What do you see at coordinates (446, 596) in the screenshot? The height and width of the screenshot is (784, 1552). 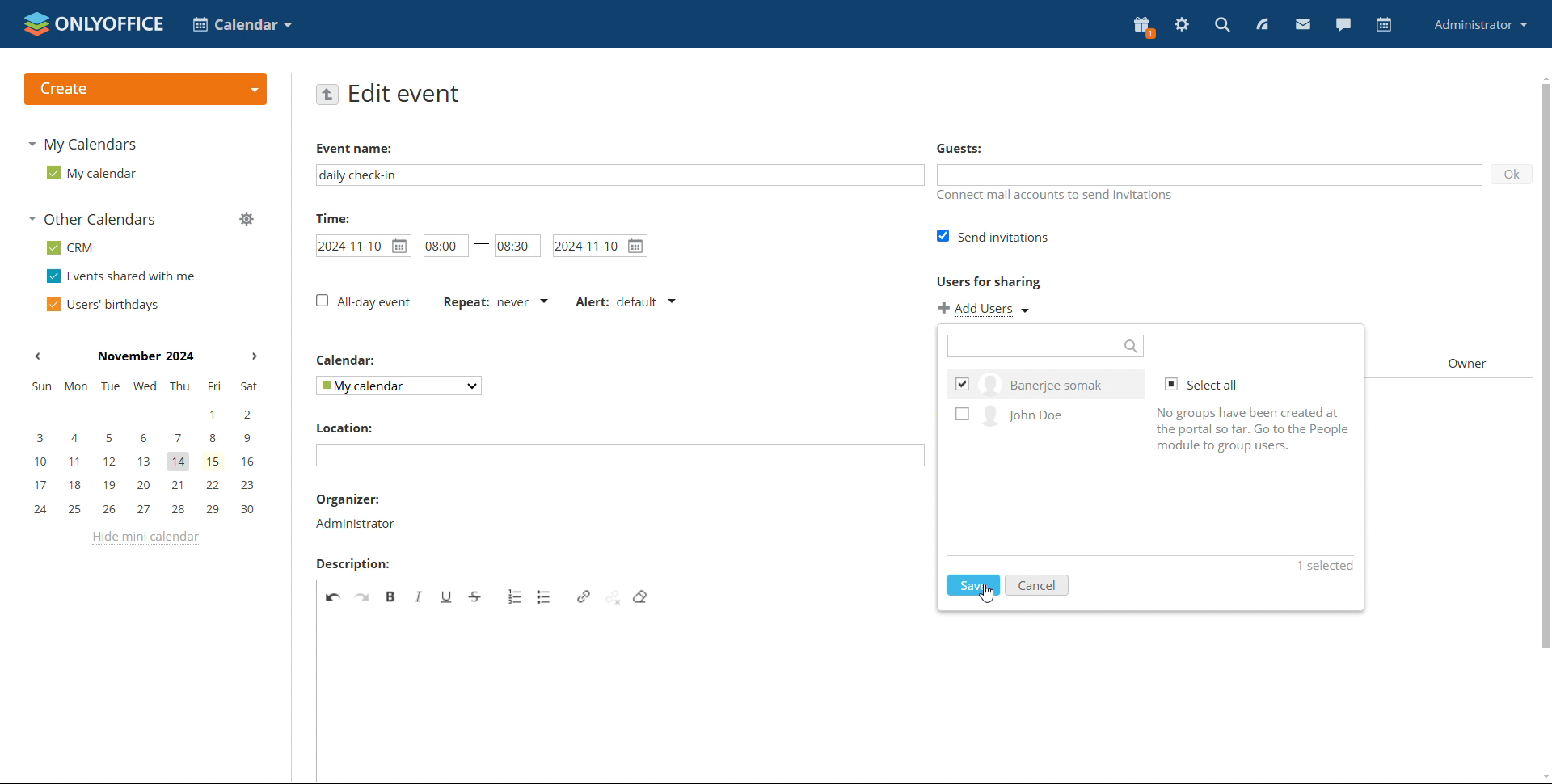 I see `underline` at bounding box center [446, 596].